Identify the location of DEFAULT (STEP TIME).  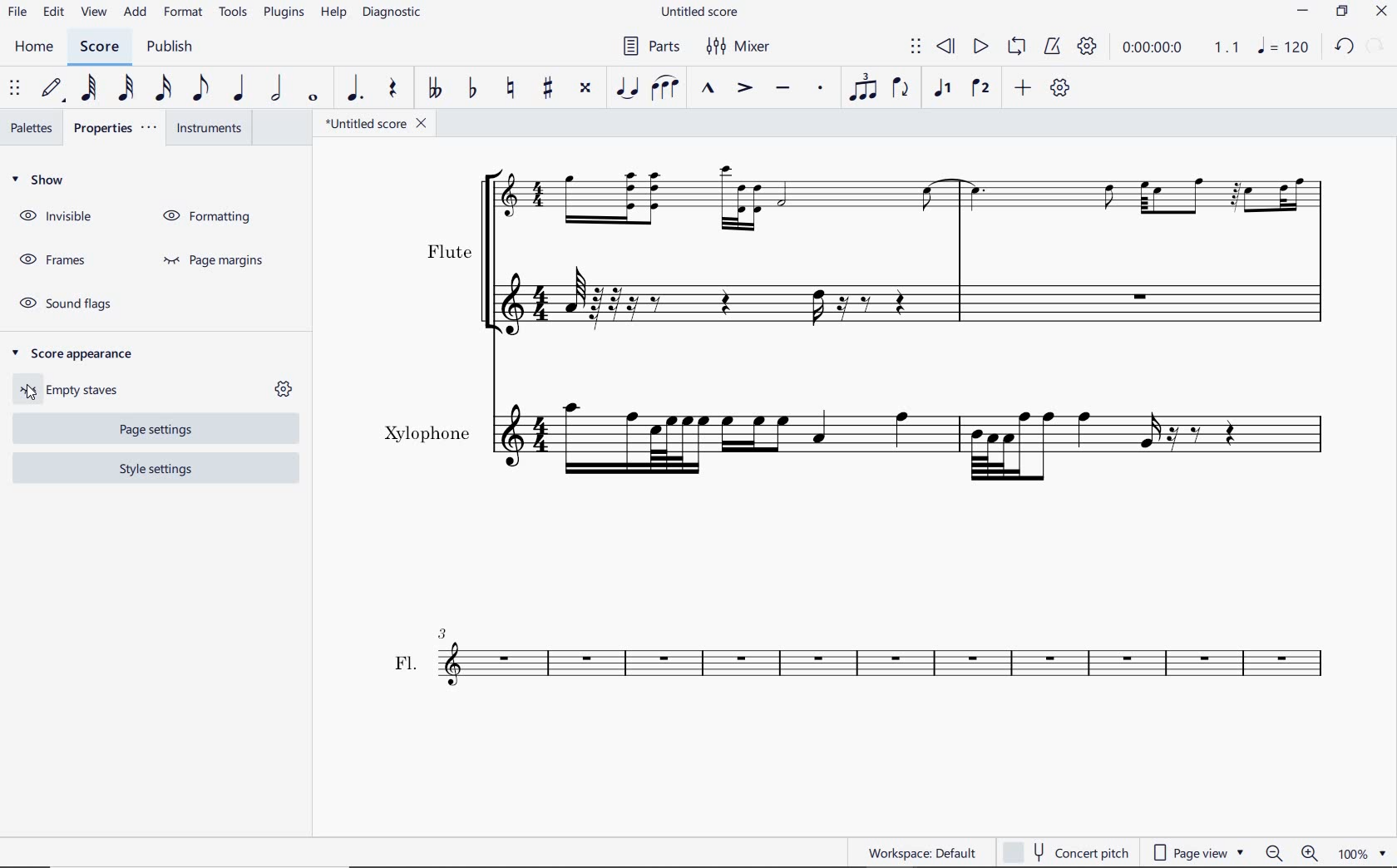
(50, 91).